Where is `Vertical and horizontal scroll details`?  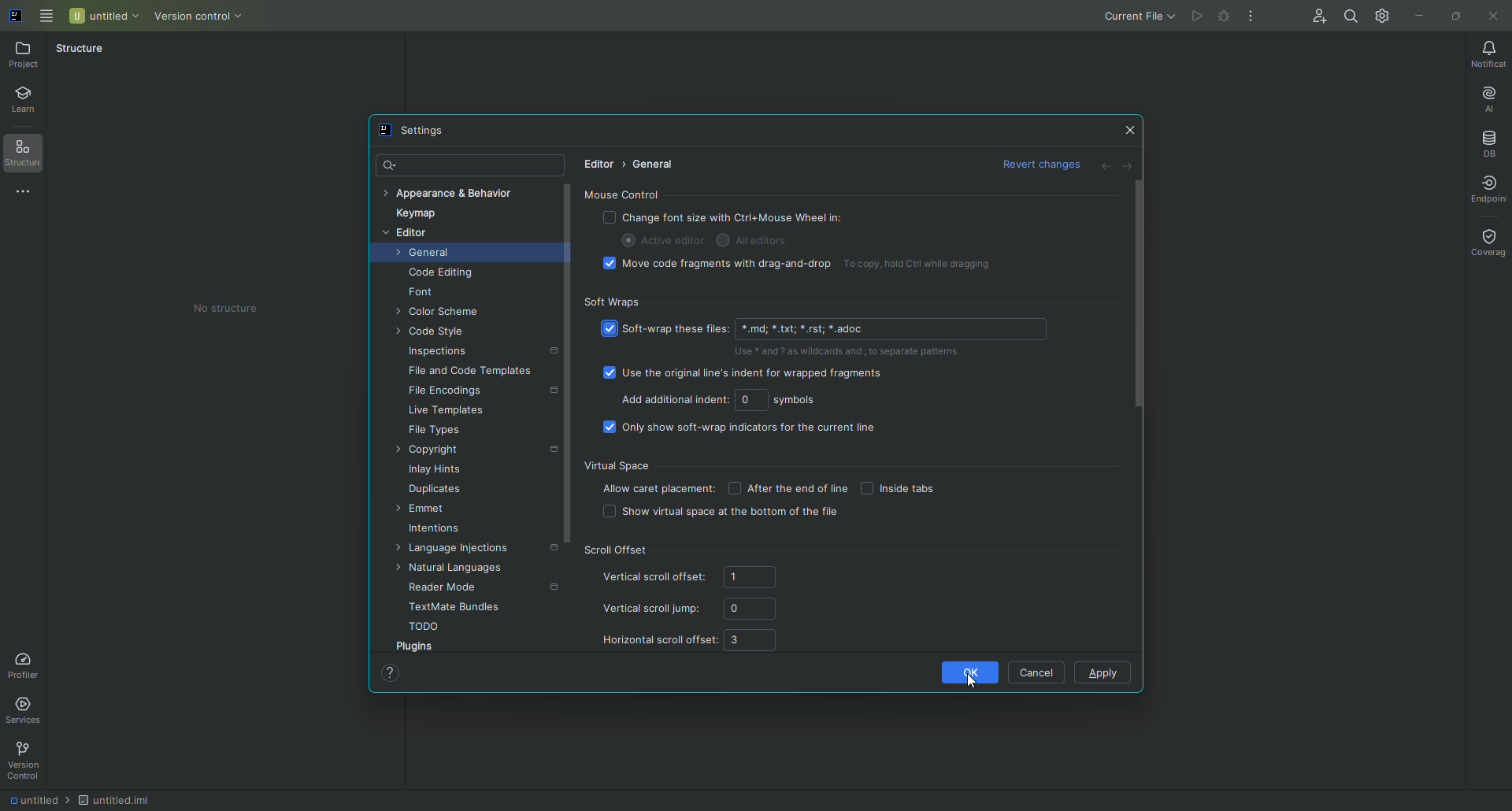
Vertical and horizontal scroll details is located at coordinates (698, 601).